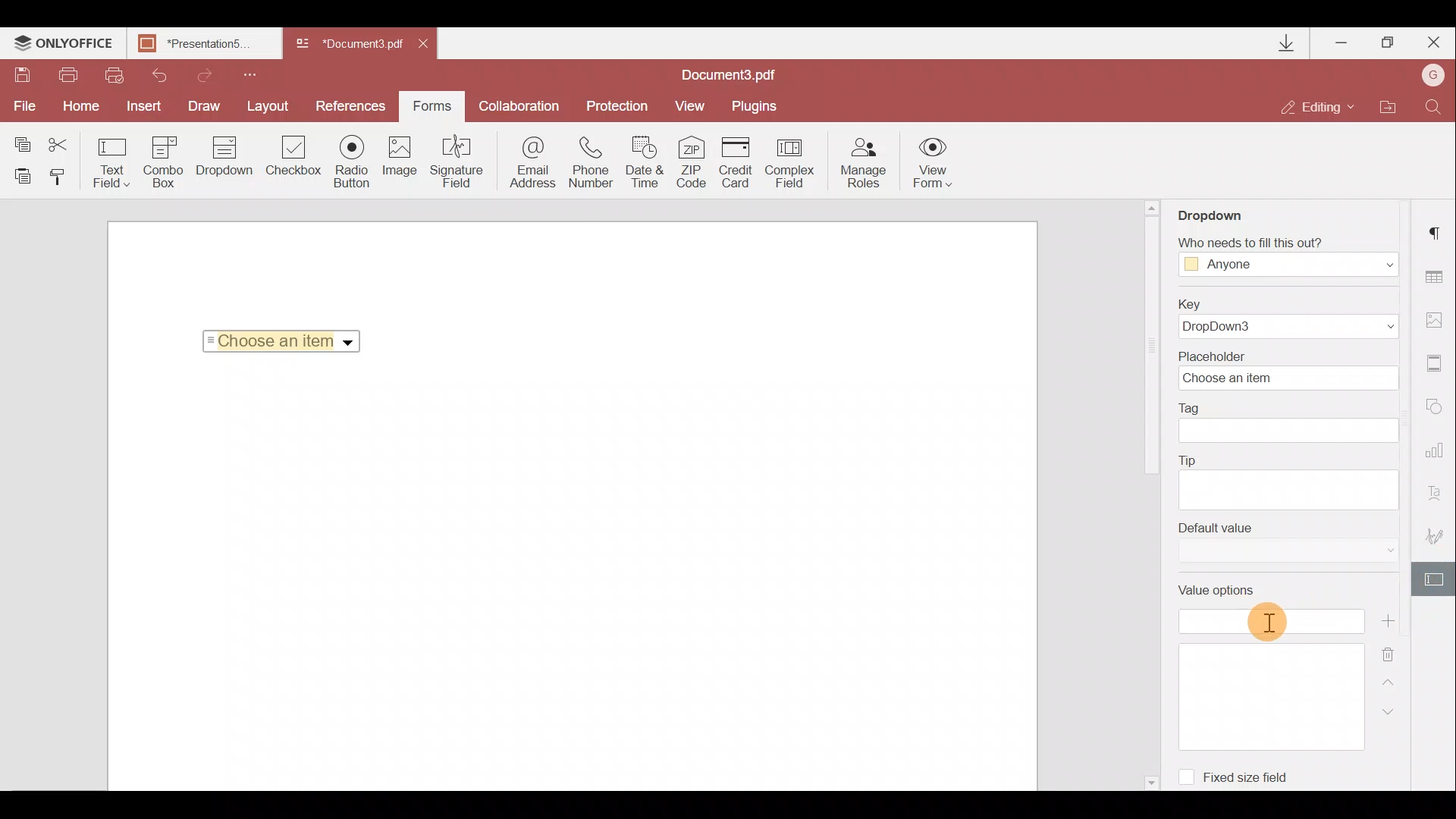 The image size is (1456, 819). Describe the element at coordinates (147, 106) in the screenshot. I see `Insert` at that location.